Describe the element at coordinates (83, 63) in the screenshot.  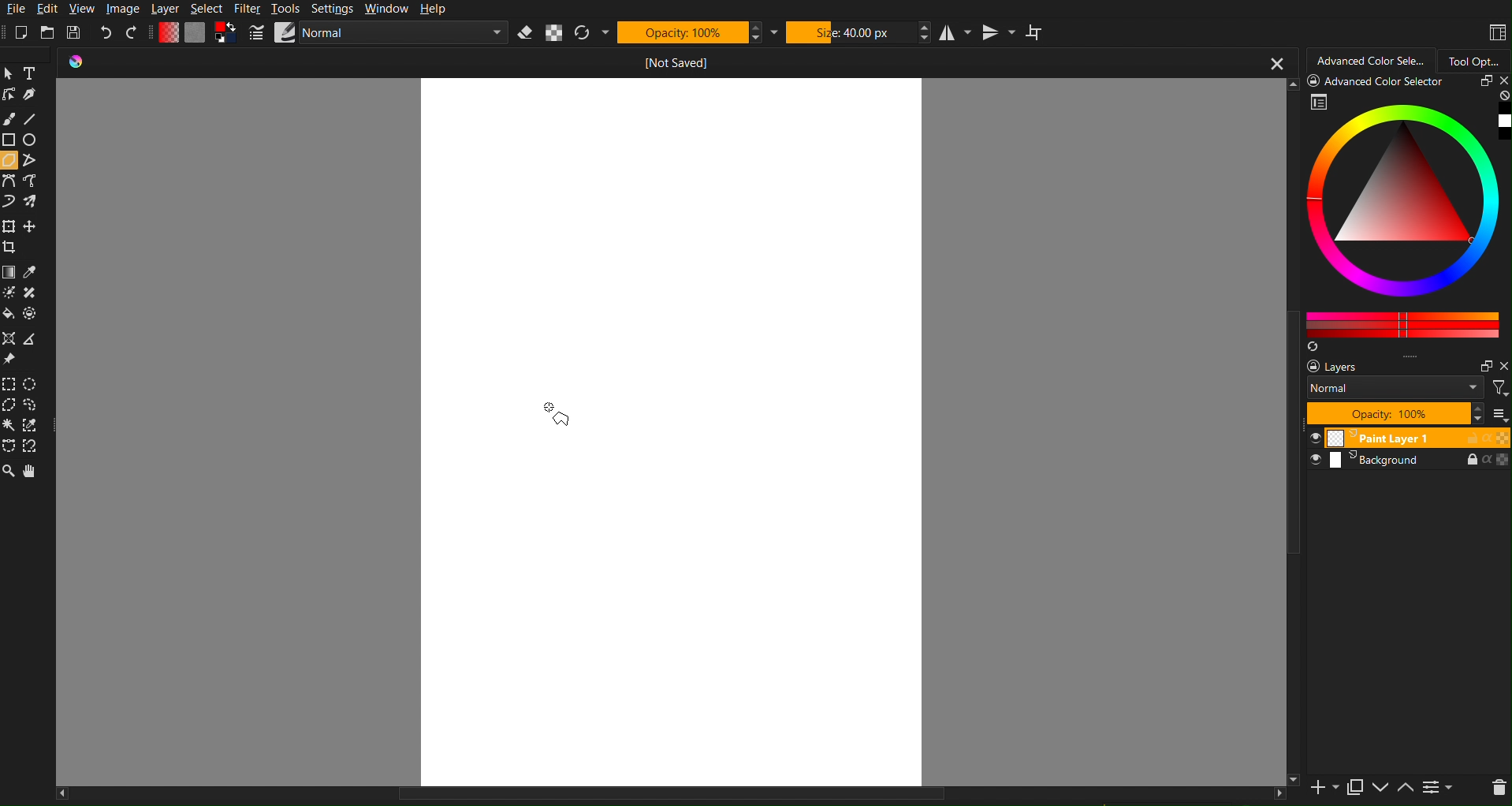
I see `icon` at that location.